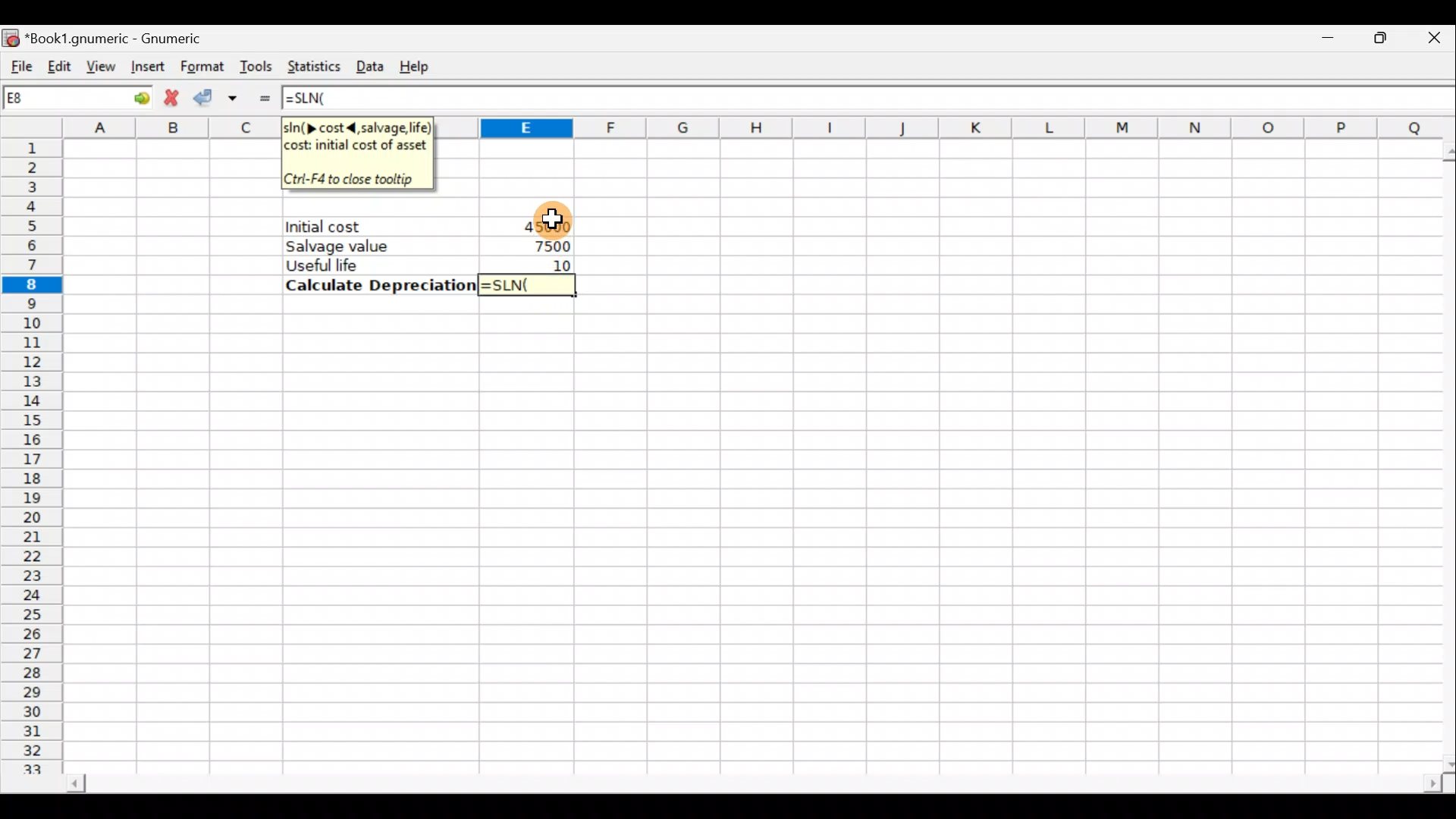  What do you see at coordinates (382, 227) in the screenshot?
I see `Initial cost` at bounding box center [382, 227].